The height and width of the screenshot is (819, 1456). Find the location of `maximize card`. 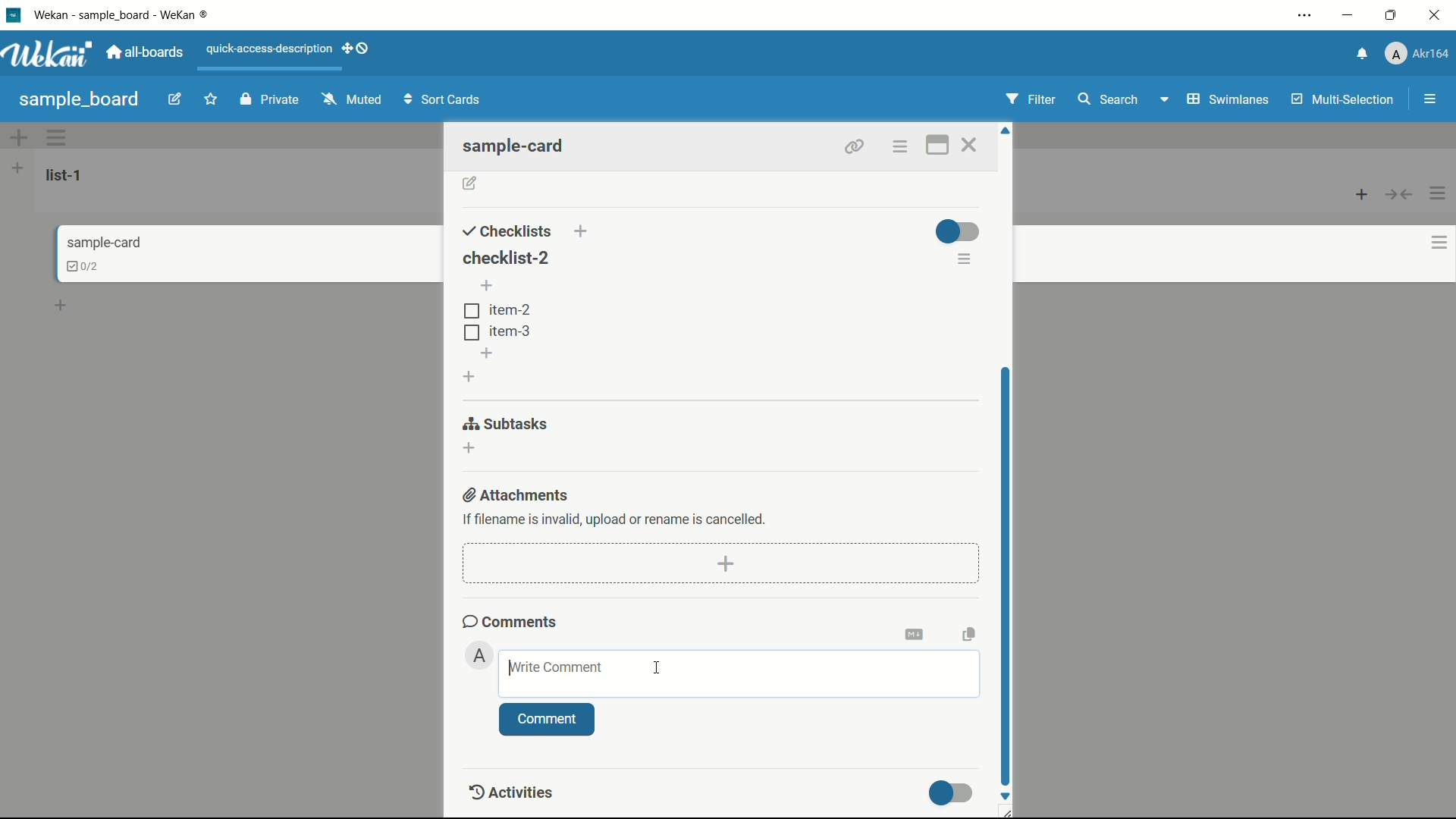

maximize card is located at coordinates (936, 145).